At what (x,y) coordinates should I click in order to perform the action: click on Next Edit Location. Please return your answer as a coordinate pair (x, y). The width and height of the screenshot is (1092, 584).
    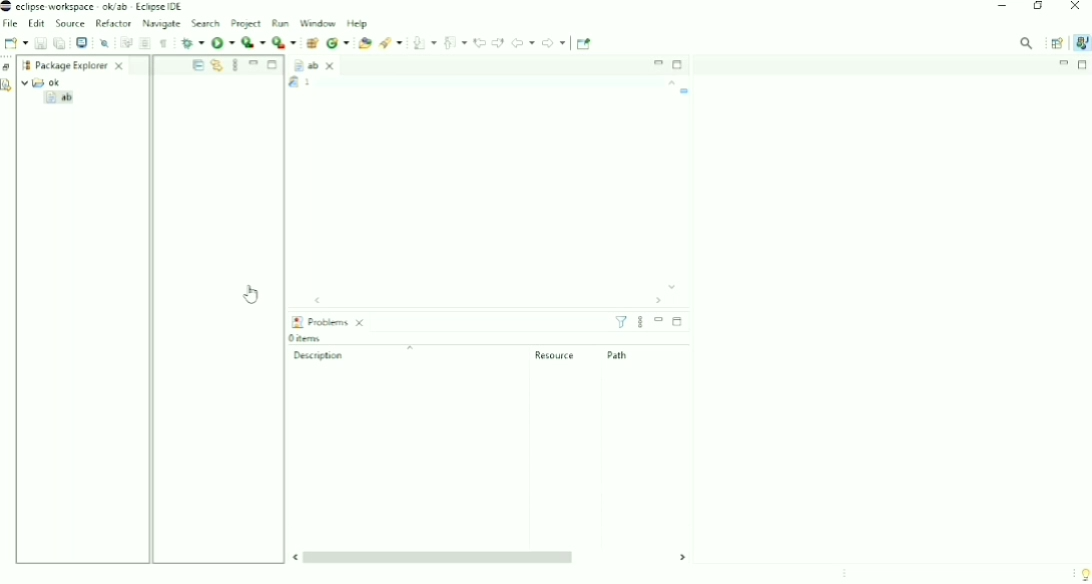
    Looking at the image, I should click on (498, 42).